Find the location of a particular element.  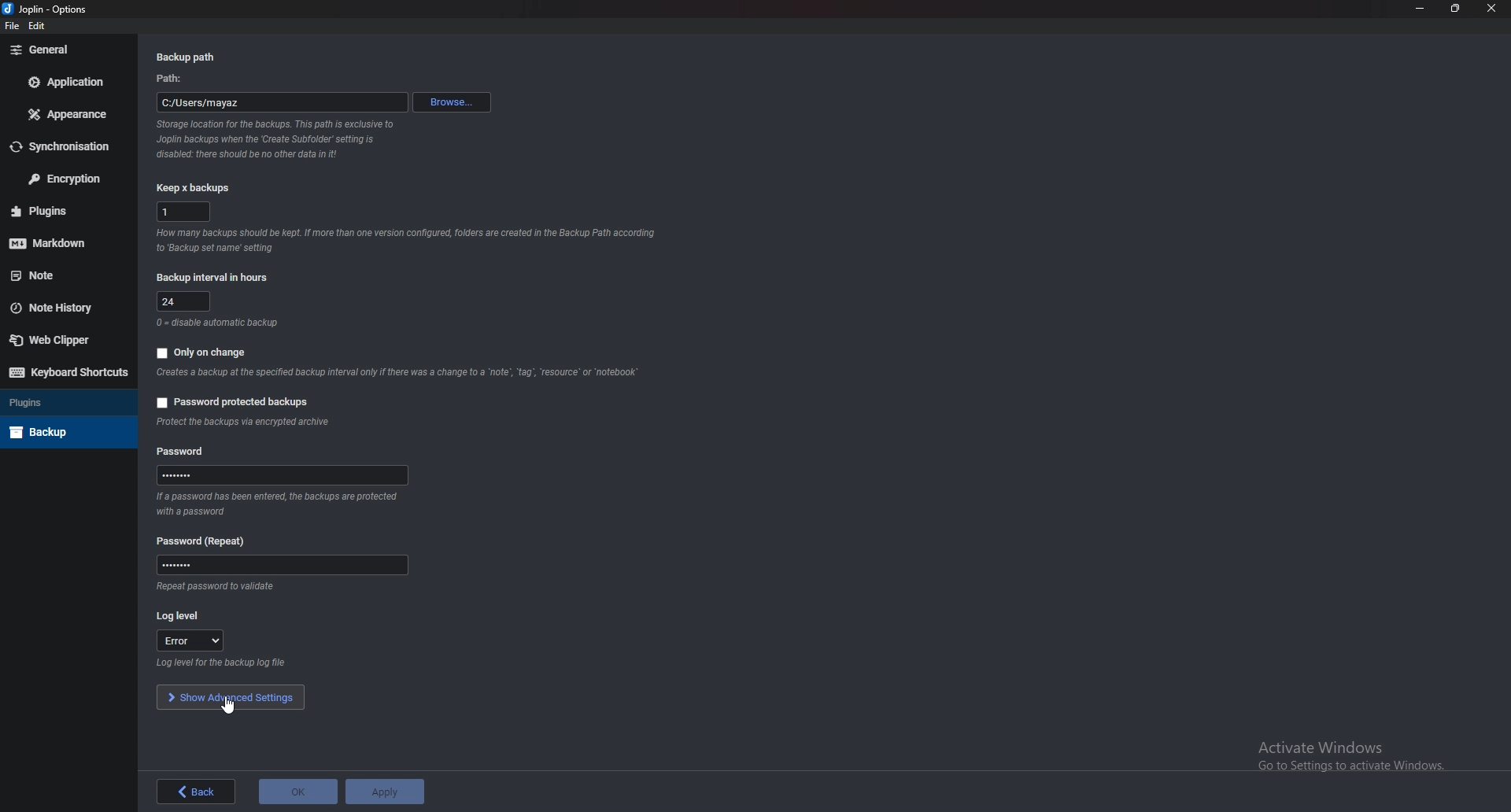

Info is located at coordinates (225, 663).